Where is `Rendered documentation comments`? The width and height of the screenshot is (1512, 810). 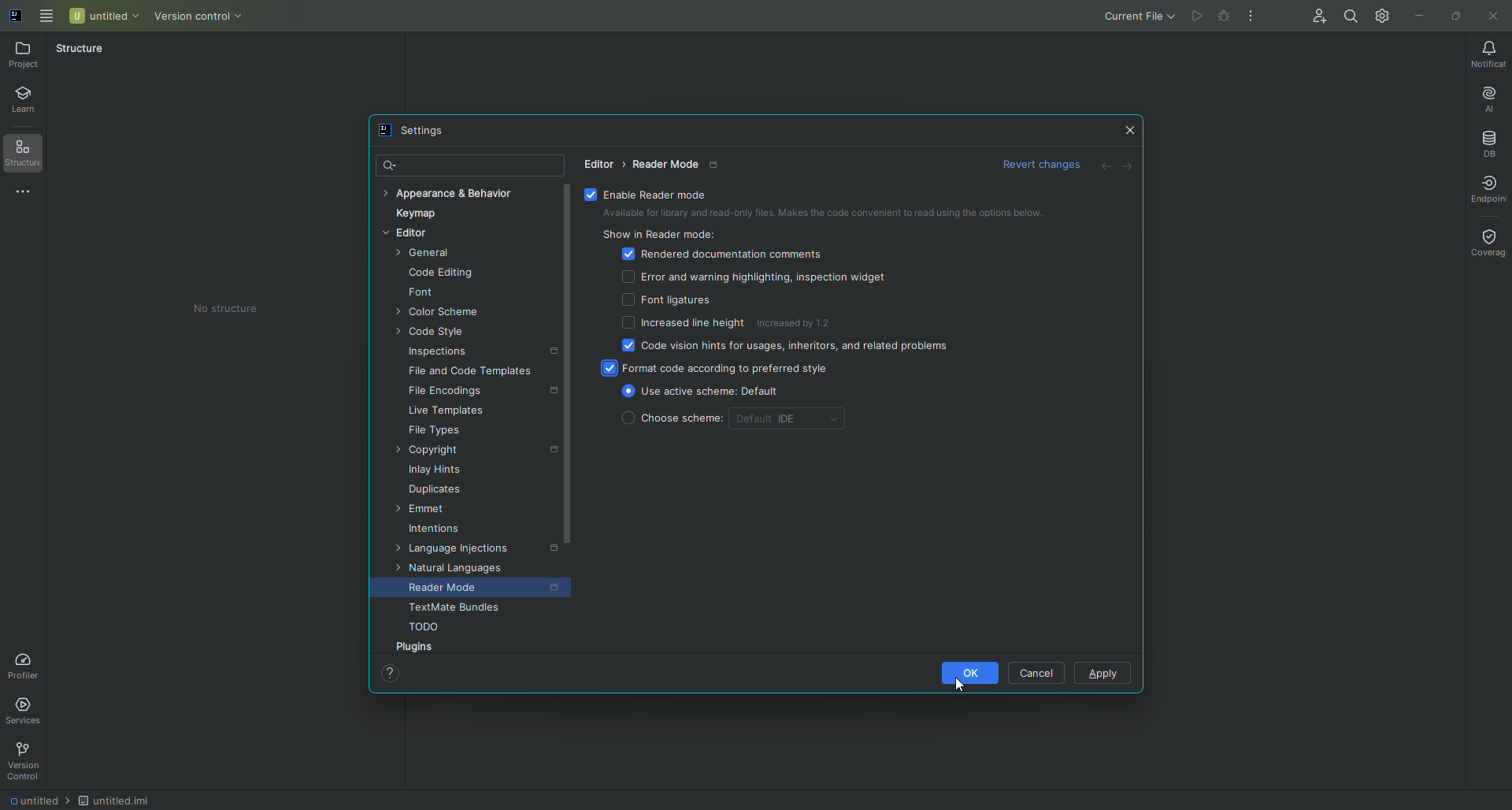 Rendered documentation comments is located at coordinates (723, 255).